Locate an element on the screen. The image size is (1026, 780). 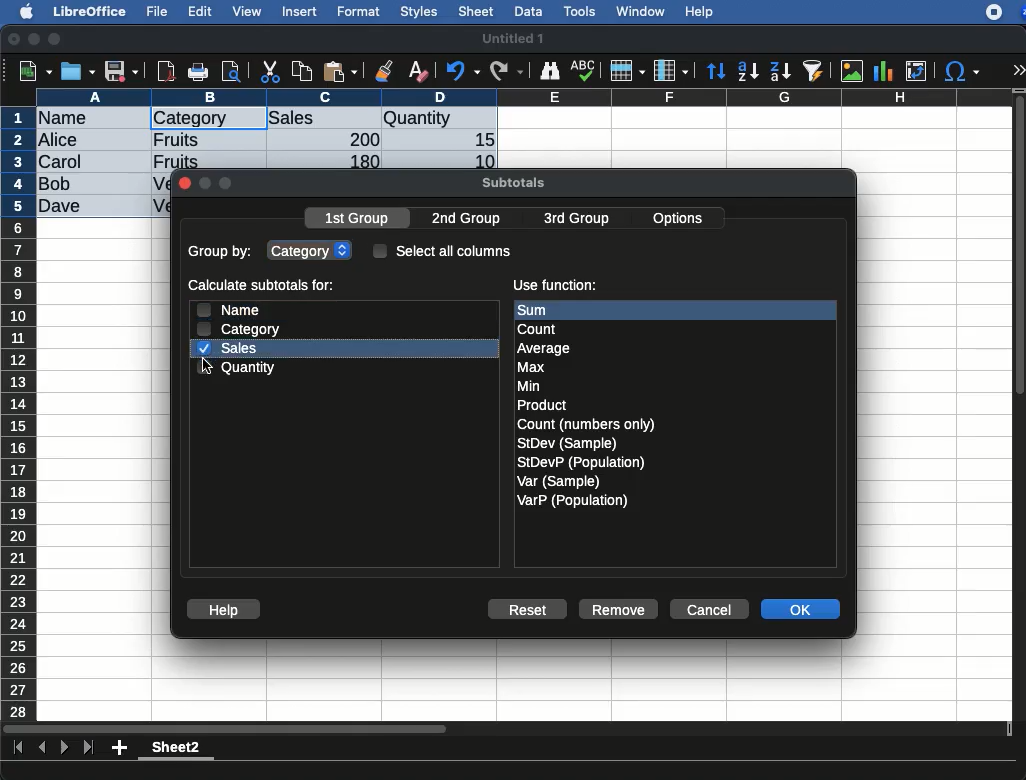
minimize is located at coordinates (35, 39).